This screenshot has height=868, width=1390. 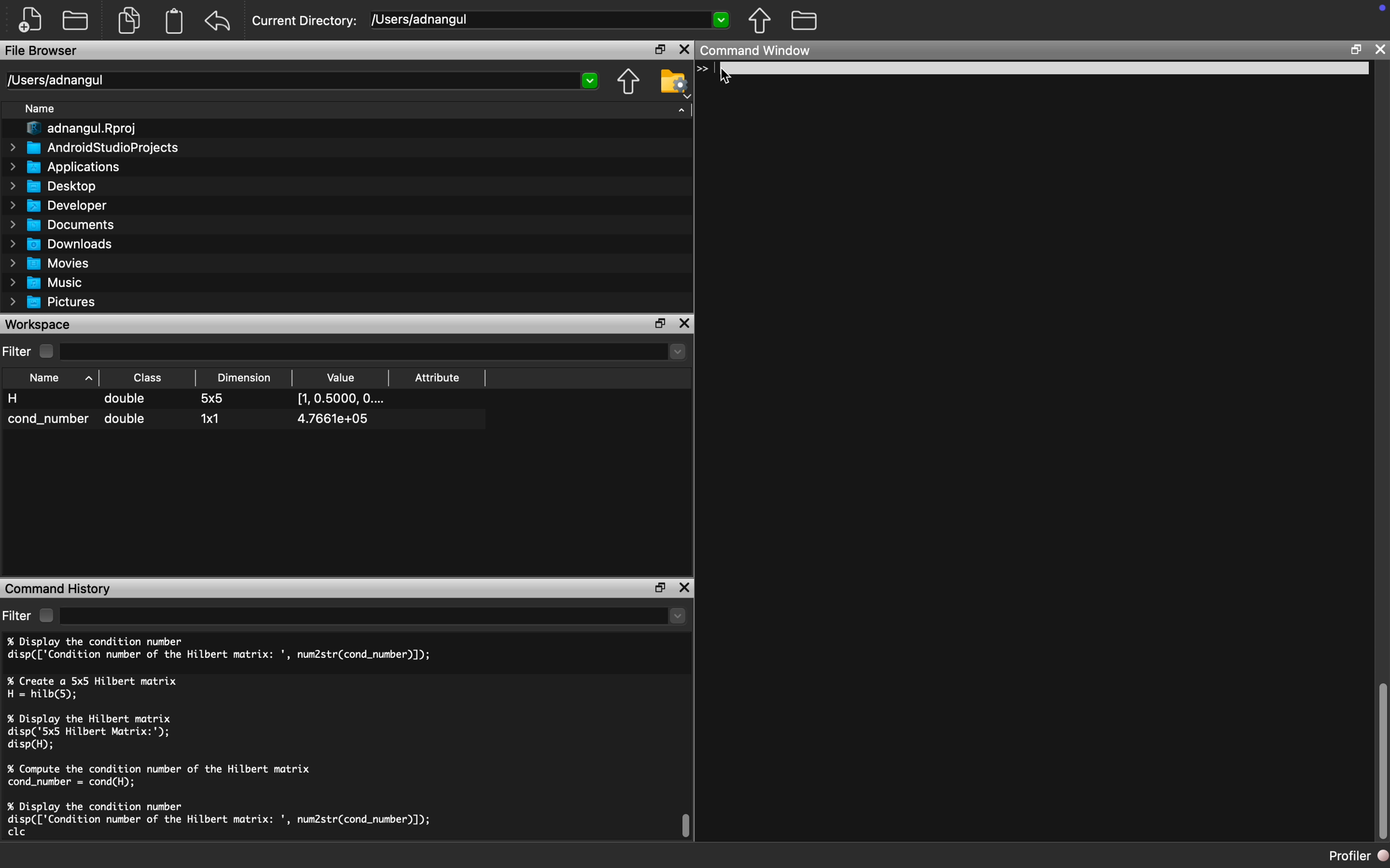 I want to click on adnangul.Rproj, so click(x=79, y=130).